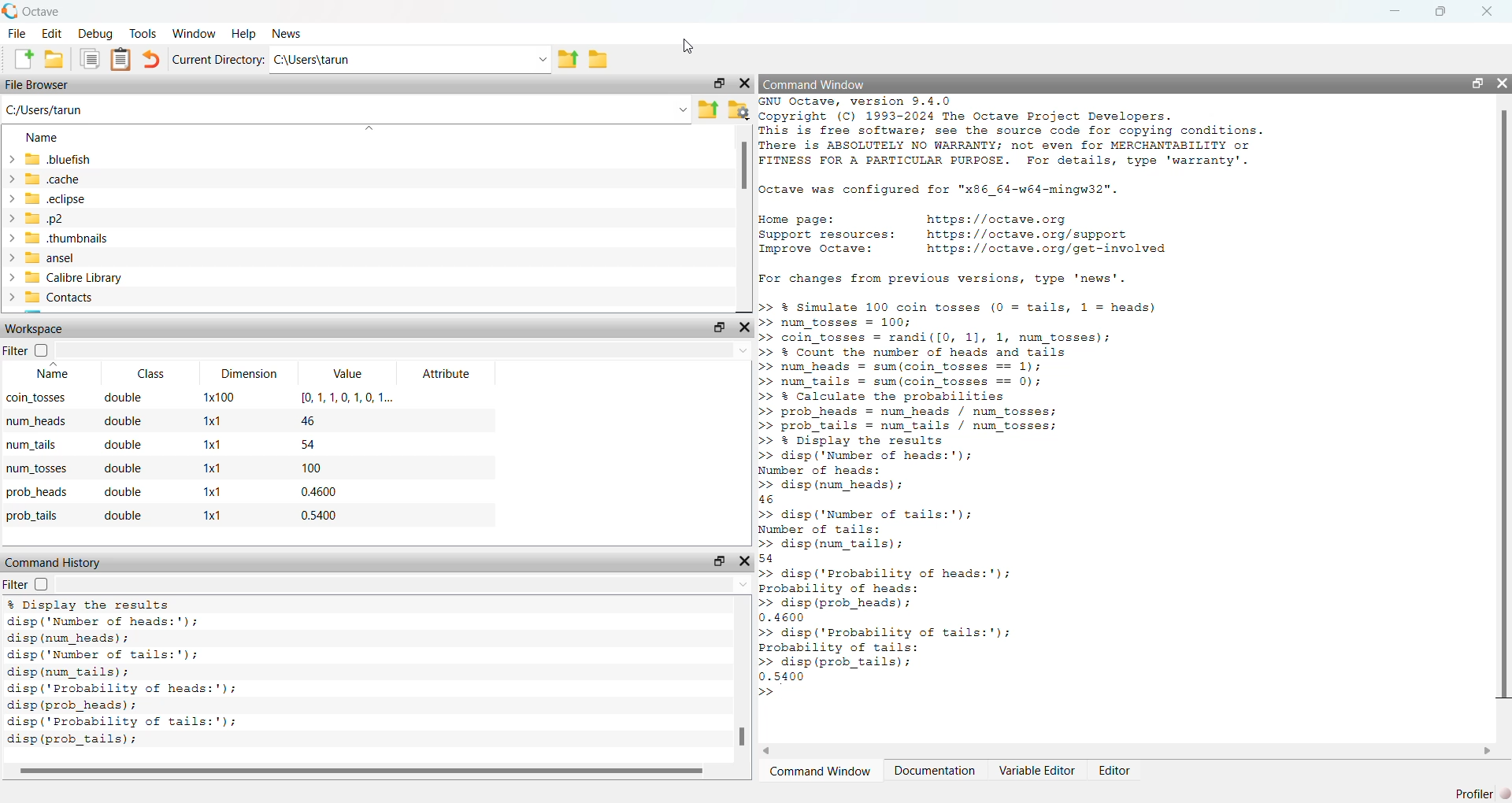  What do you see at coordinates (1440, 11) in the screenshot?
I see `maximize` at bounding box center [1440, 11].